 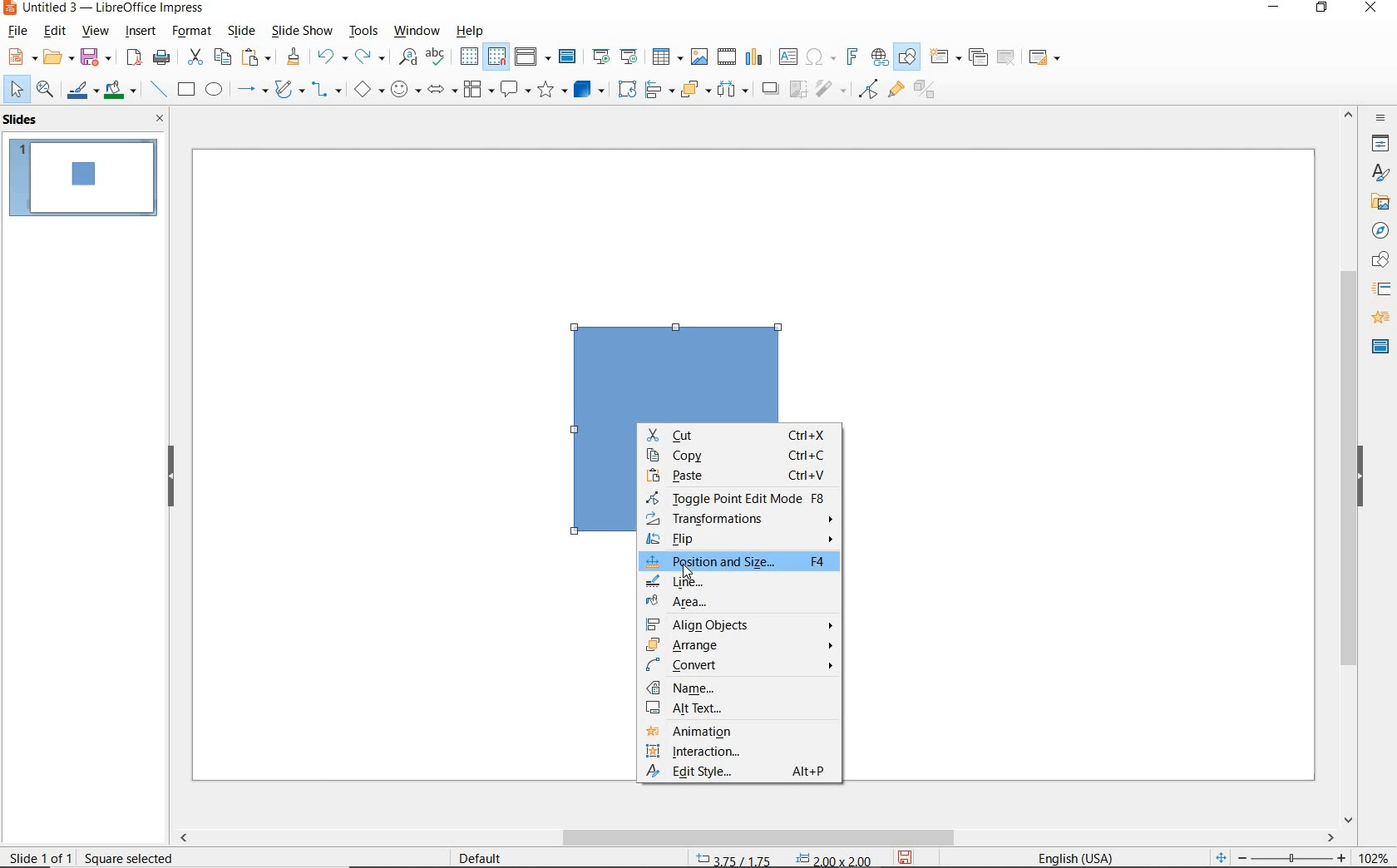 What do you see at coordinates (158, 90) in the screenshot?
I see `insert line` at bounding box center [158, 90].